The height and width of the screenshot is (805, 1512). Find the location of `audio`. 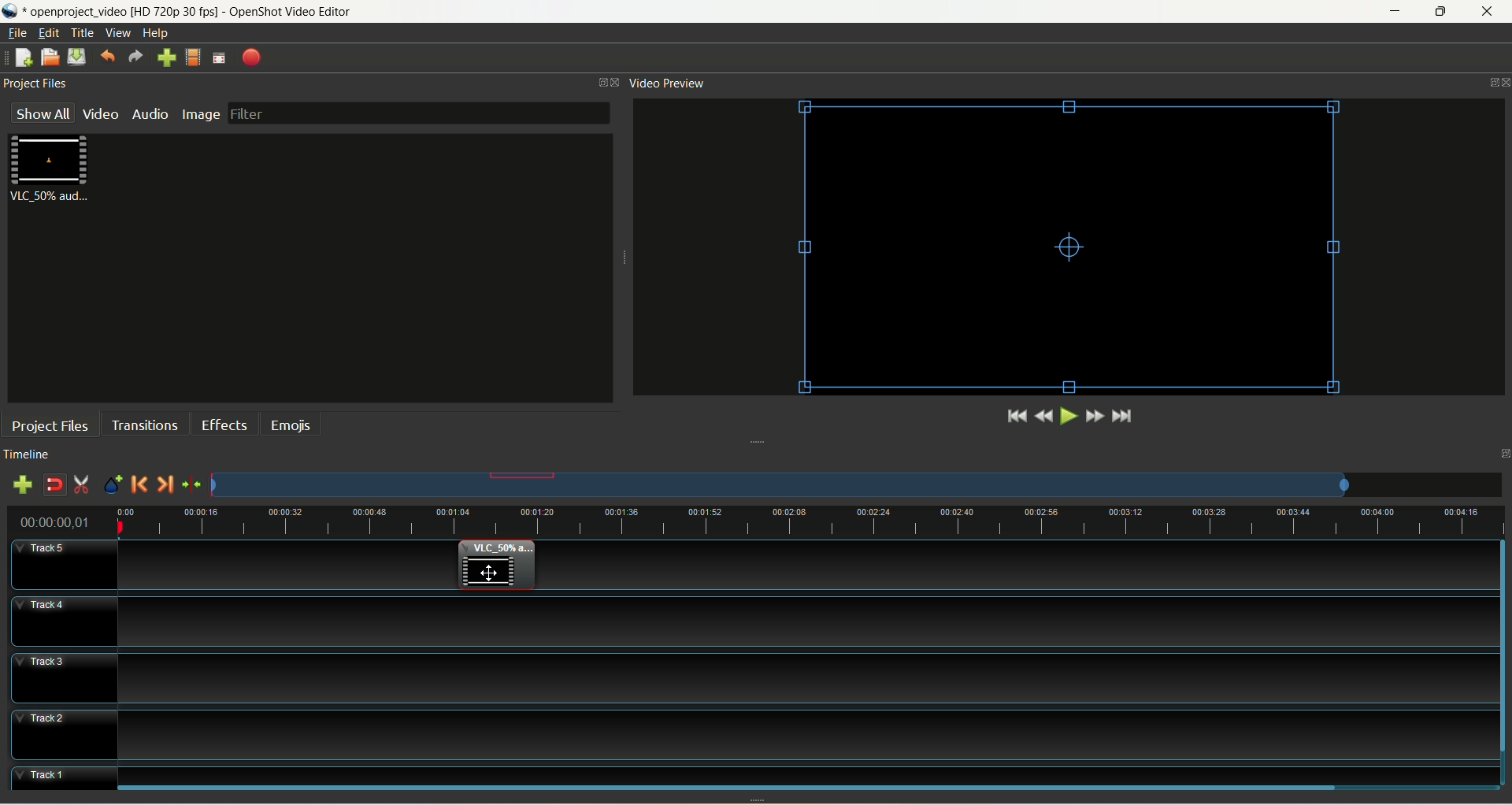

audio is located at coordinates (148, 114).